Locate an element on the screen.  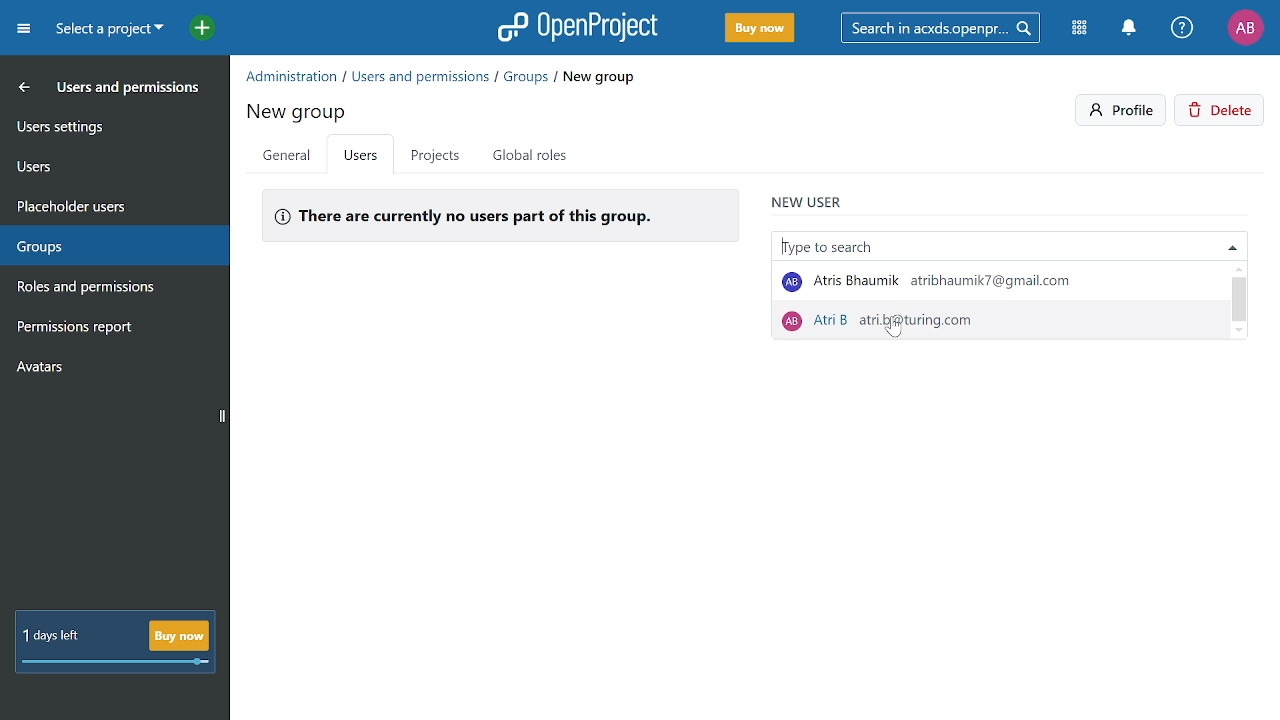
Notifiactions is located at coordinates (1134, 29).